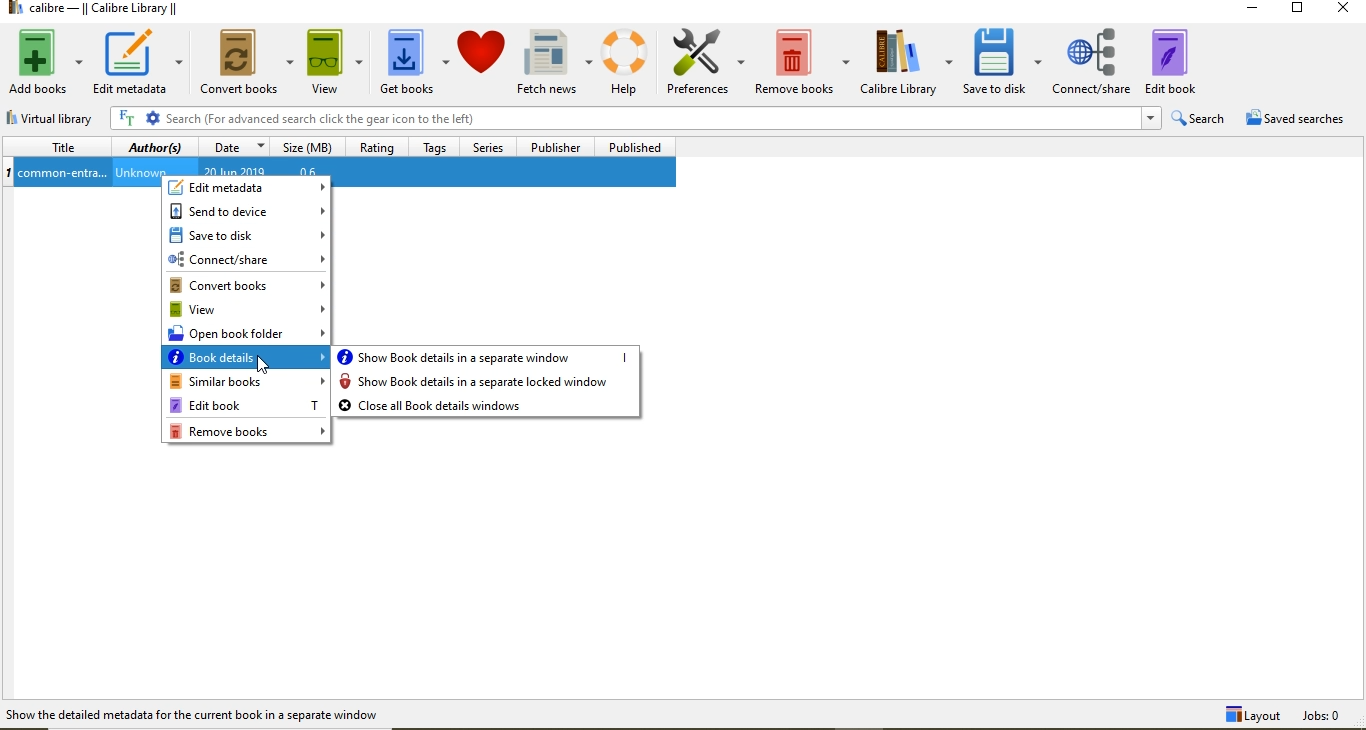 This screenshot has height=730, width=1366. What do you see at coordinates (248, 61) in the screenshot?
I see `covert books` at bounding box center [248, 61].